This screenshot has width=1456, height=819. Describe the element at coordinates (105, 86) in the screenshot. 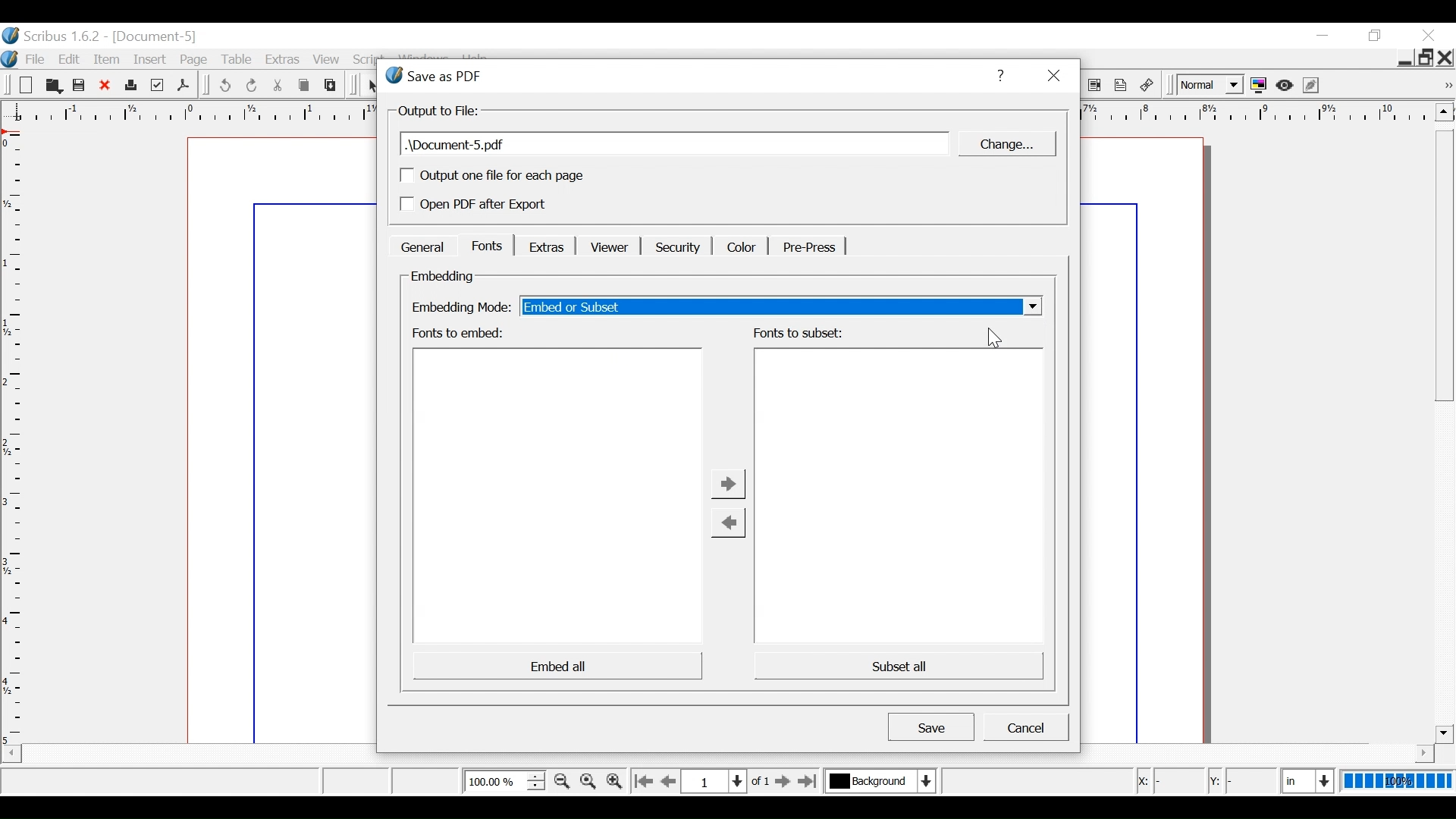

I see `Close` at that location.